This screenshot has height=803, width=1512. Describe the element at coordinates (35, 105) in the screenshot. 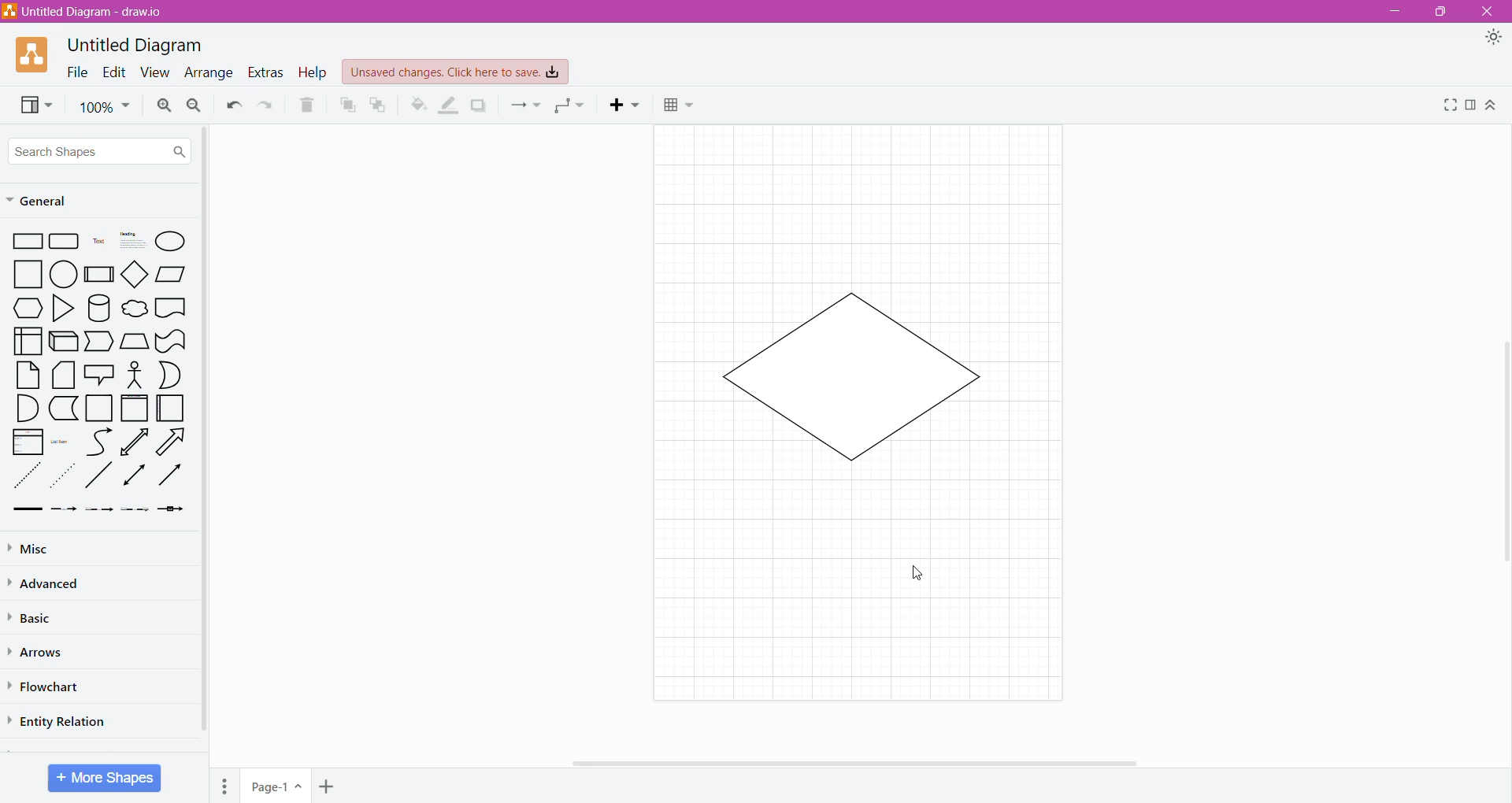

I see `View` at that location.